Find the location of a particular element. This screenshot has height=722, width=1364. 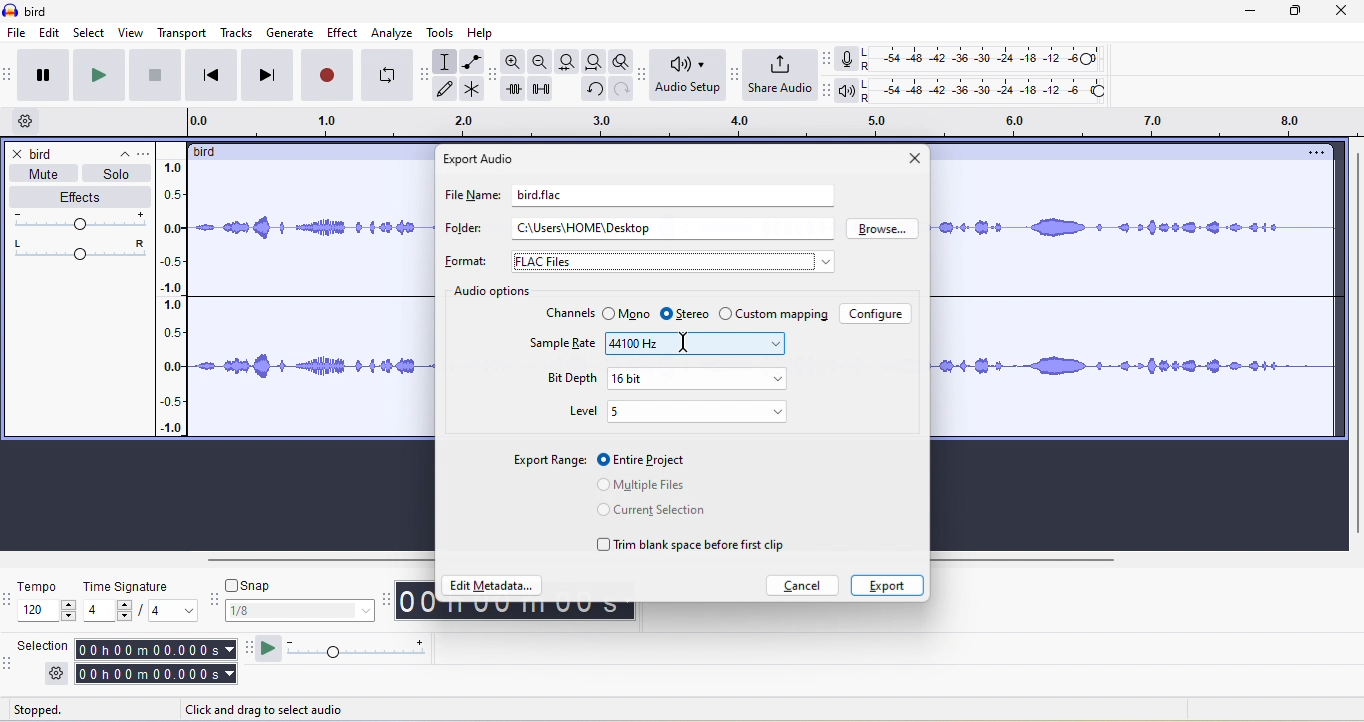

time signature is located at coordinates (142, 600).